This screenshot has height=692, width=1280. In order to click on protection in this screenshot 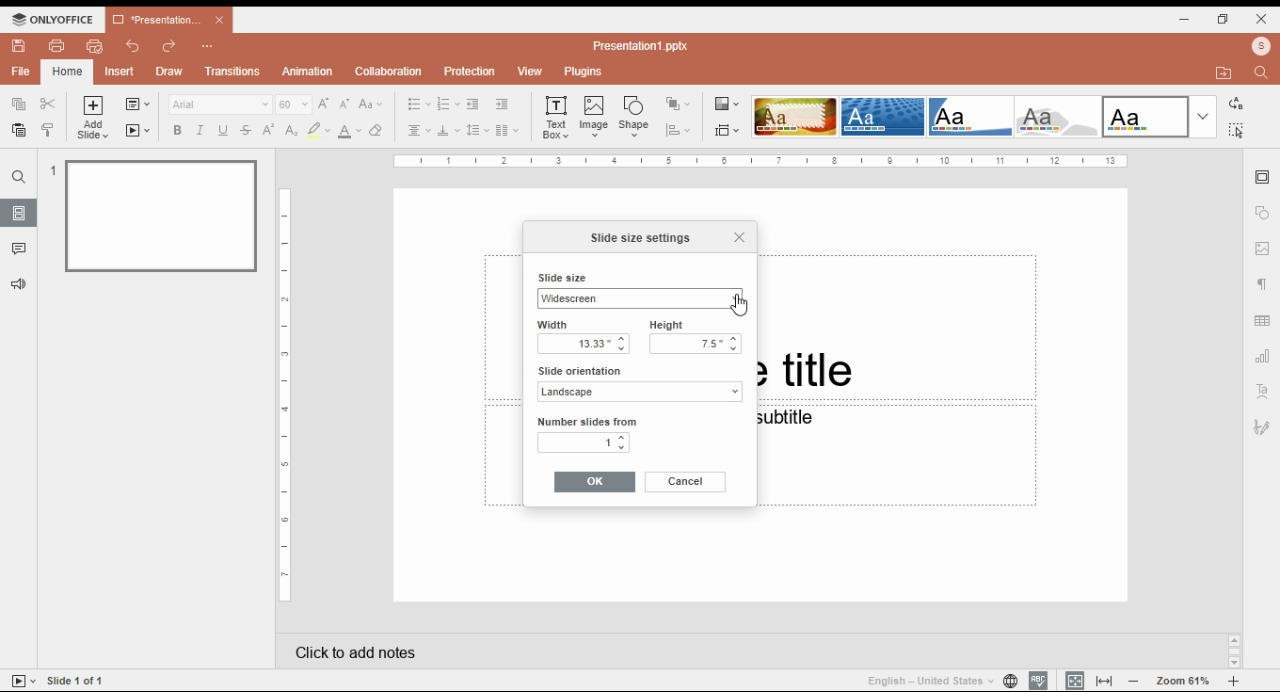, I will do `click(469, 72)`.